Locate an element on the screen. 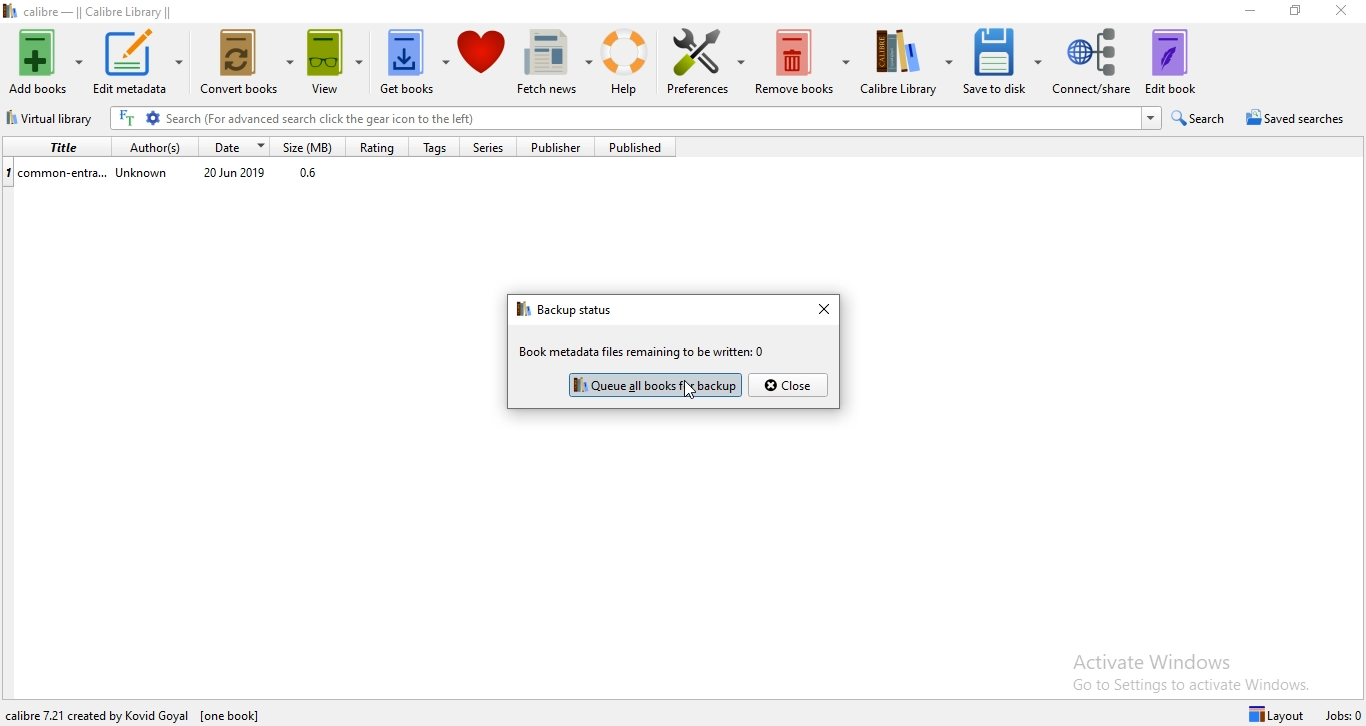  Jobs: 0 is located at coordinates (1344, 716).